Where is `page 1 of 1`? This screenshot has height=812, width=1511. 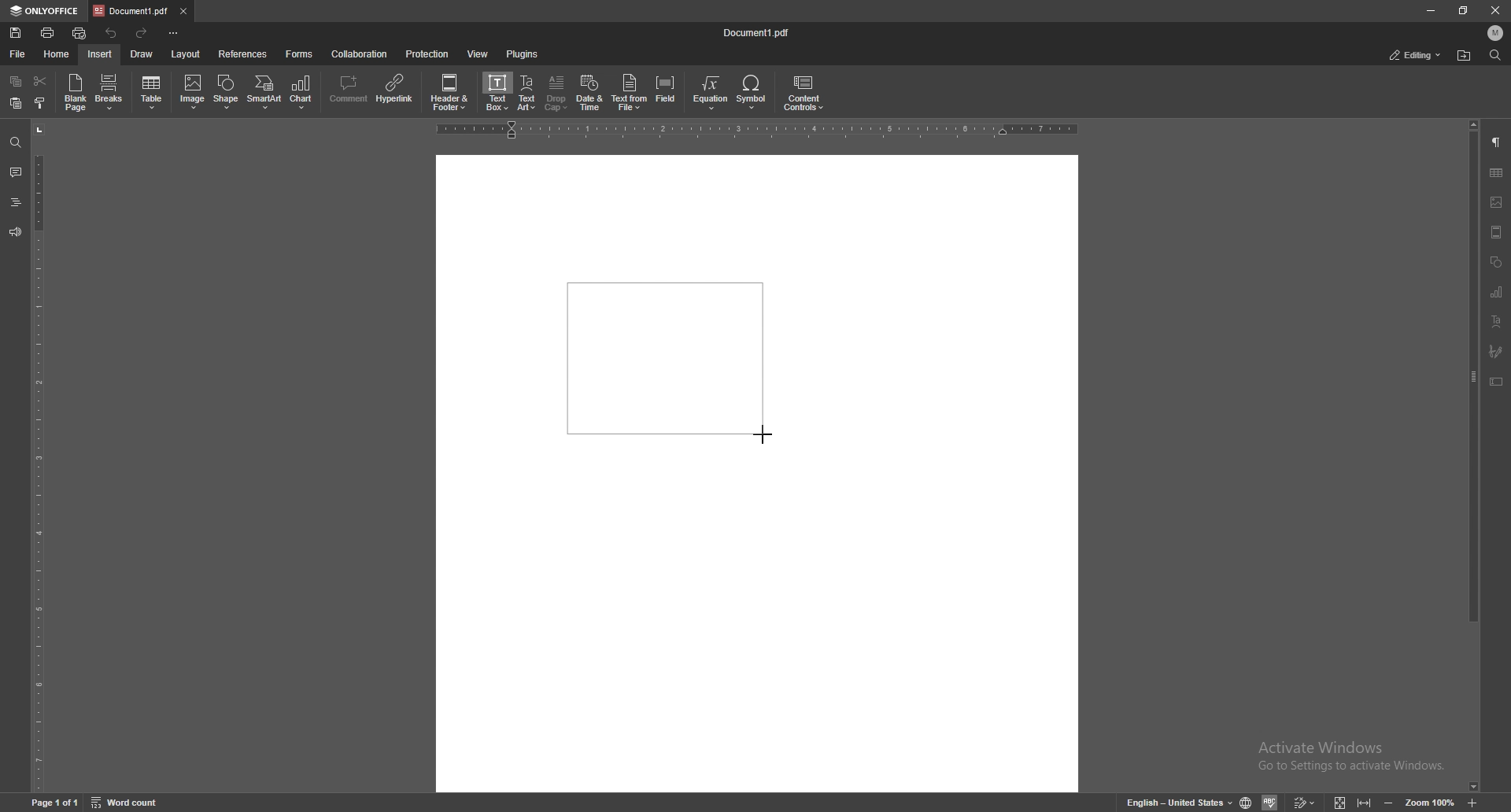 page 1 of 1 is located at coordinates (56, 803).